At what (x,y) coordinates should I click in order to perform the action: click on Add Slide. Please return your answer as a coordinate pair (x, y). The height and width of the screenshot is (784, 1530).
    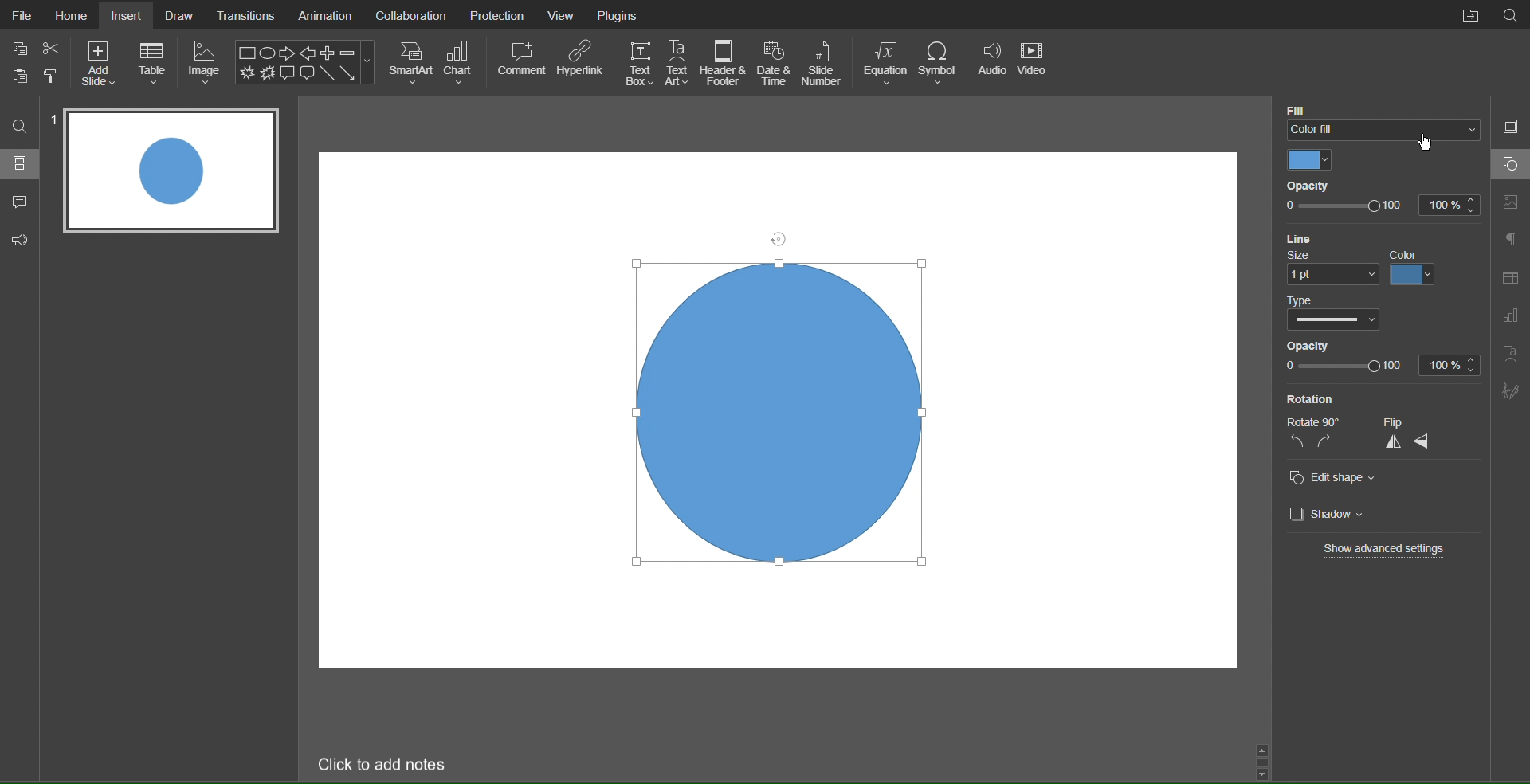
    Looking at the image, I should click on (98, 63).